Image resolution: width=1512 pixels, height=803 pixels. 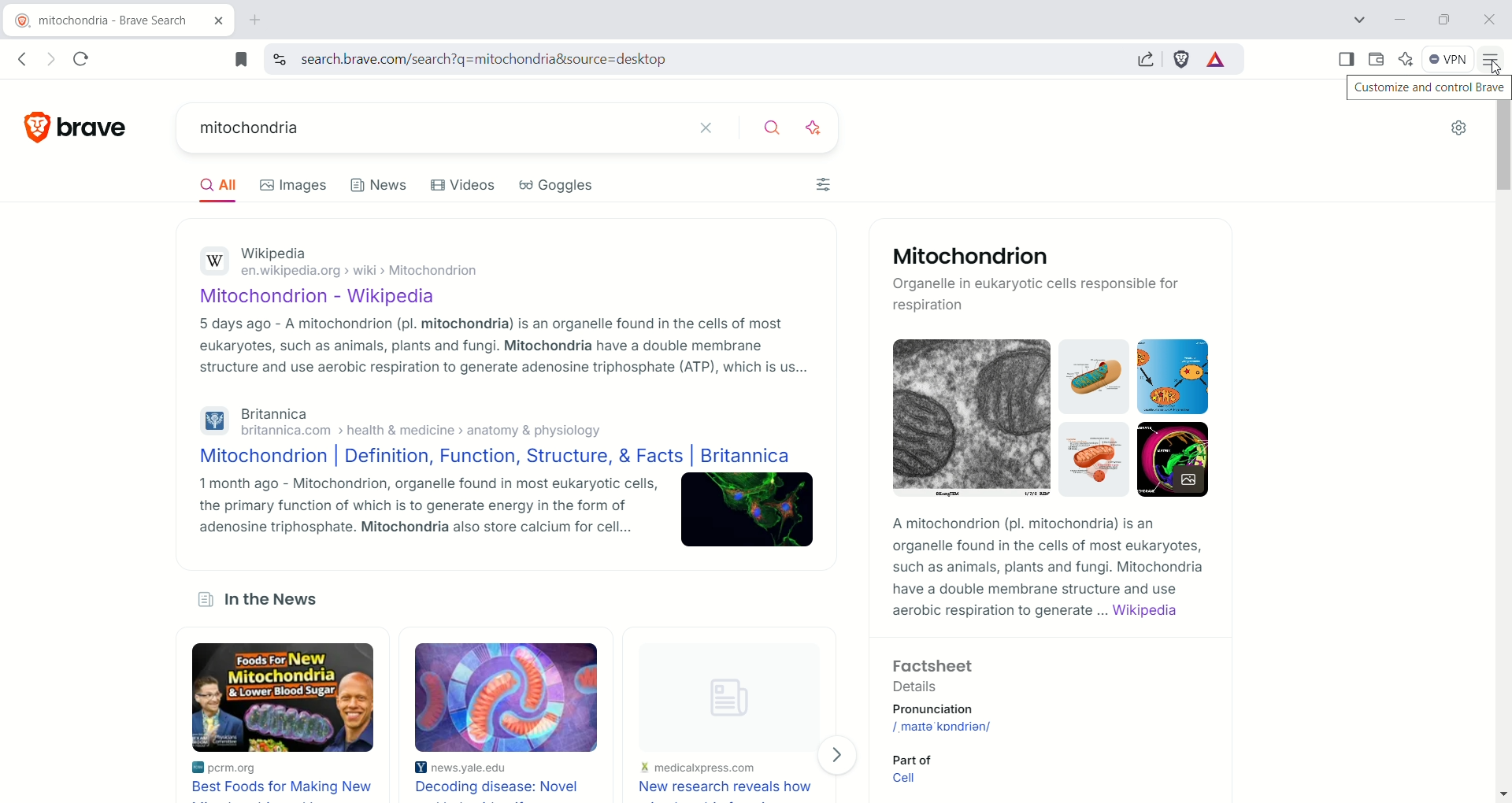 What do you see at coordinates (1459, 130) in the screenshot?
I see `quick settings` at bounding box center [1459, 130].